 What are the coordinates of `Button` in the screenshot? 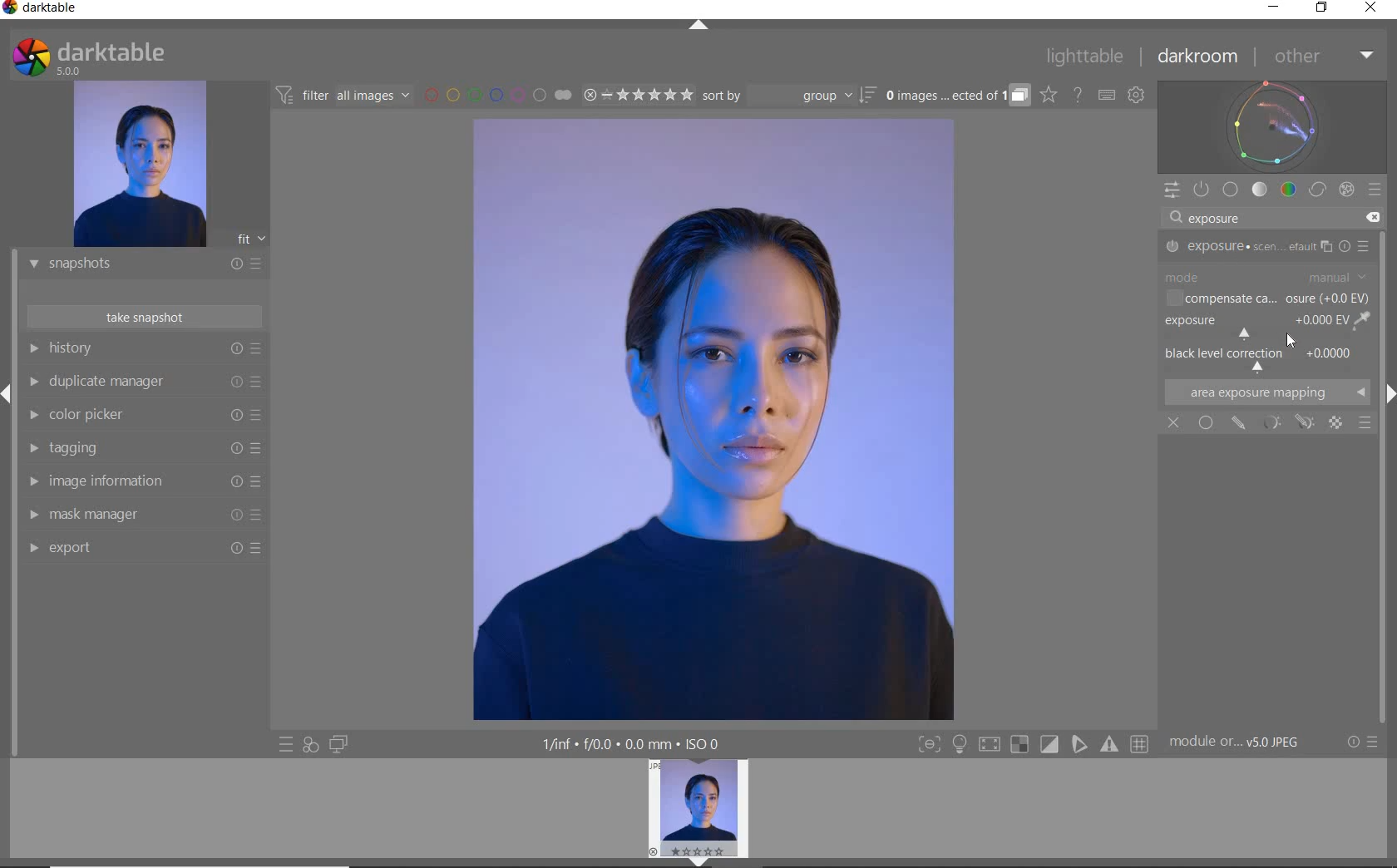 It's located at (1050, 745).